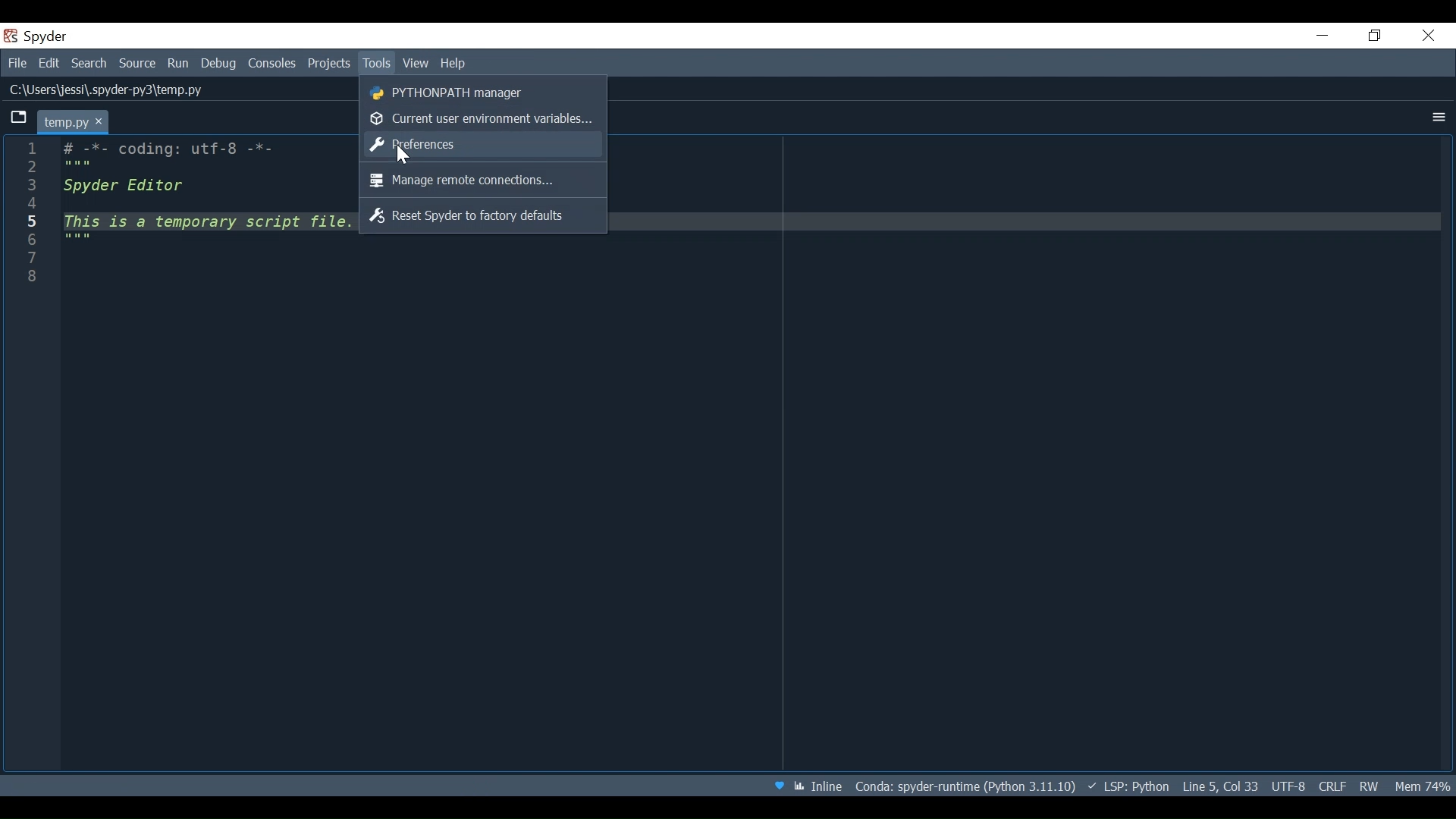 Image resolution: width=1456 pixels, height=819 pixels. I want to click on Manager remote connections, so click(483, 179).